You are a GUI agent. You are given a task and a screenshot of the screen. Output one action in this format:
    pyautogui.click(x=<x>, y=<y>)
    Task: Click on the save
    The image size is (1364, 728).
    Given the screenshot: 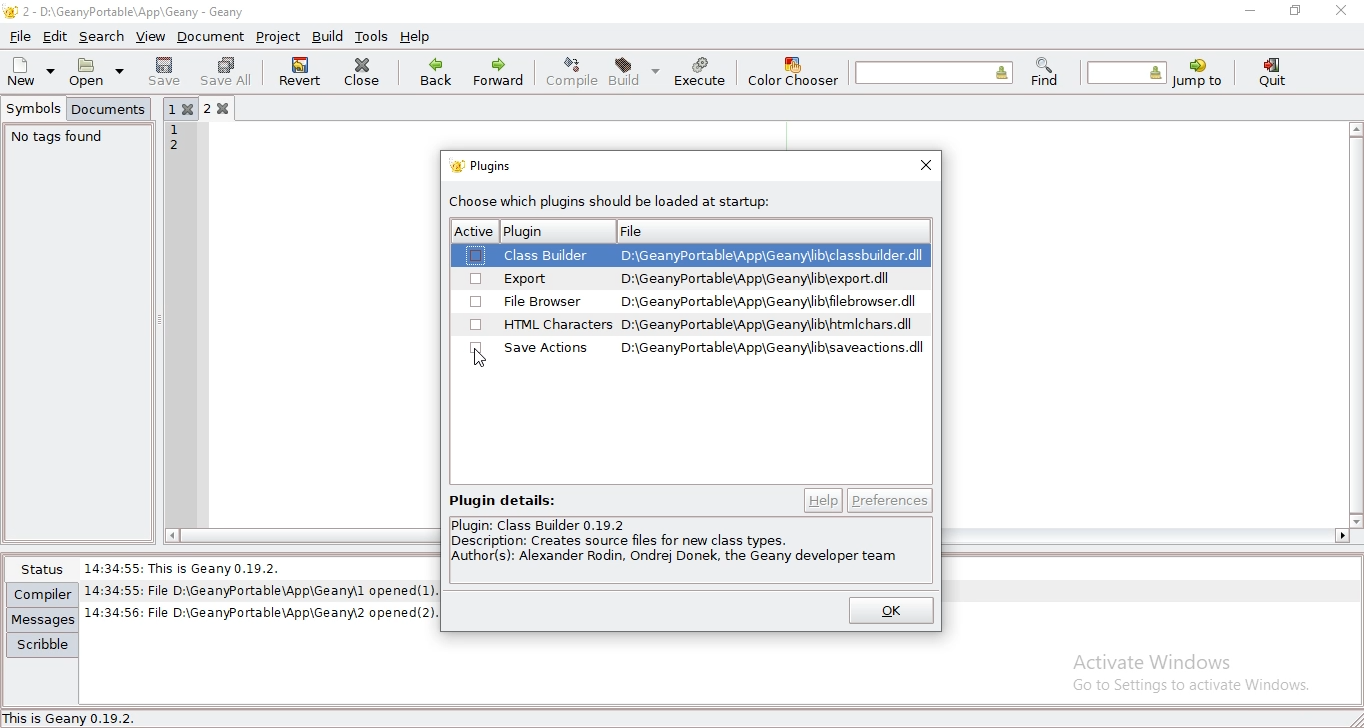 What is the action you would take?
    pyautogui.click(x=166, y=71)
    